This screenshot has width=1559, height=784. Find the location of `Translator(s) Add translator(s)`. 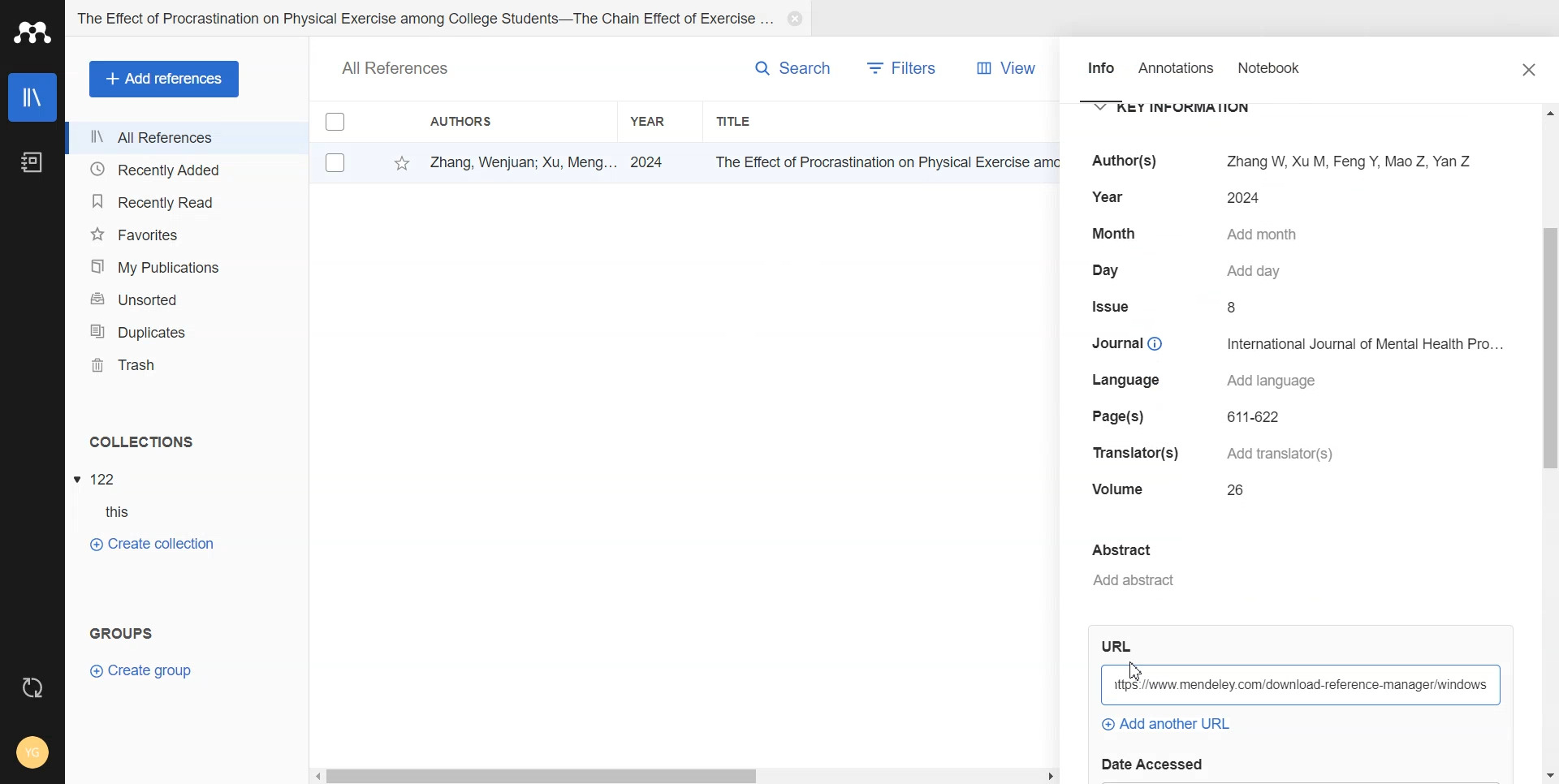

Translator(s) Add translator(s) is located at coordinates (1214, 454).